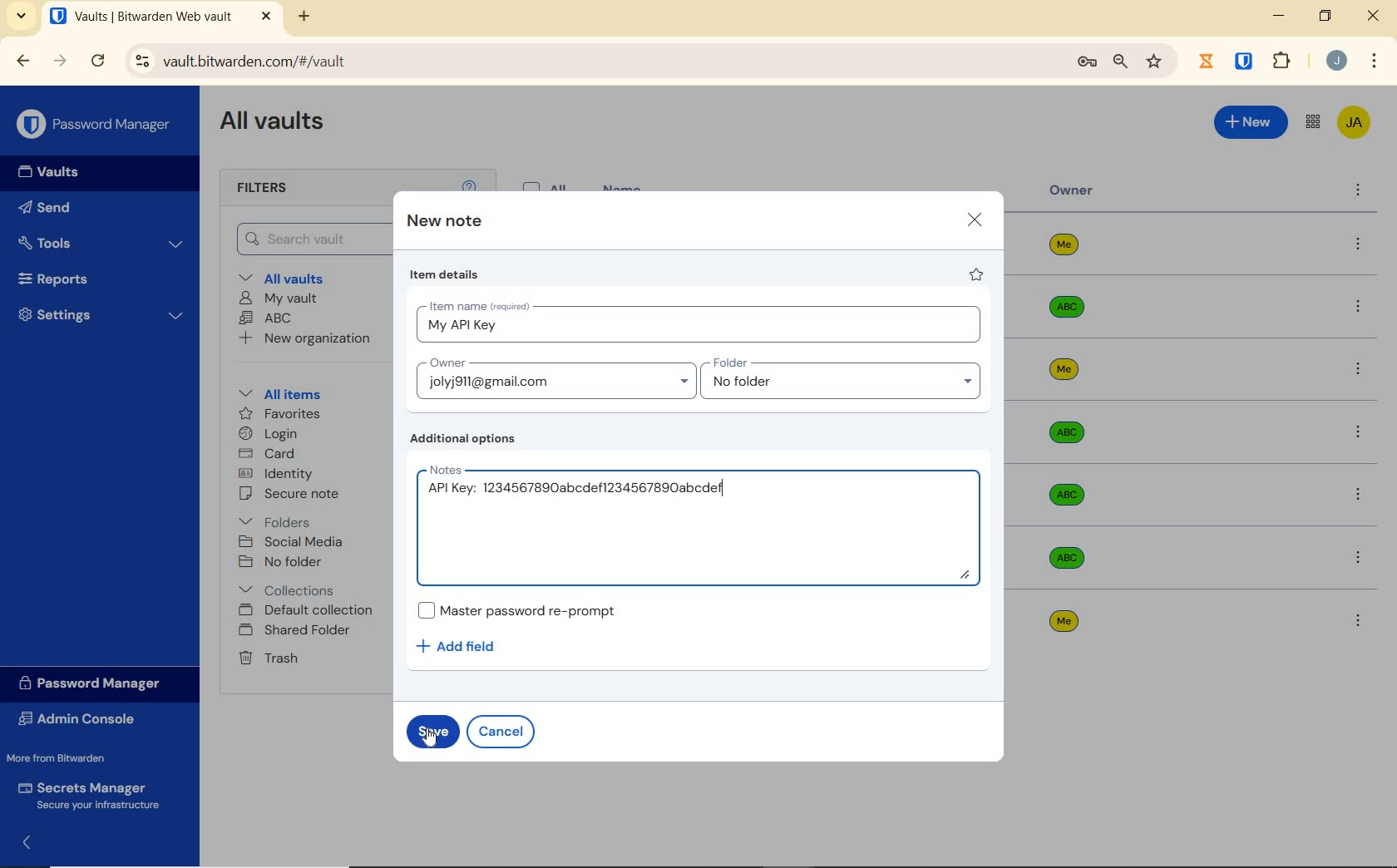 The width and height of the screenshot is (1397, 868). What do you see at coordinates (445, 277) in the screenshot?
I see `item details` at bounding box center [445, 277].